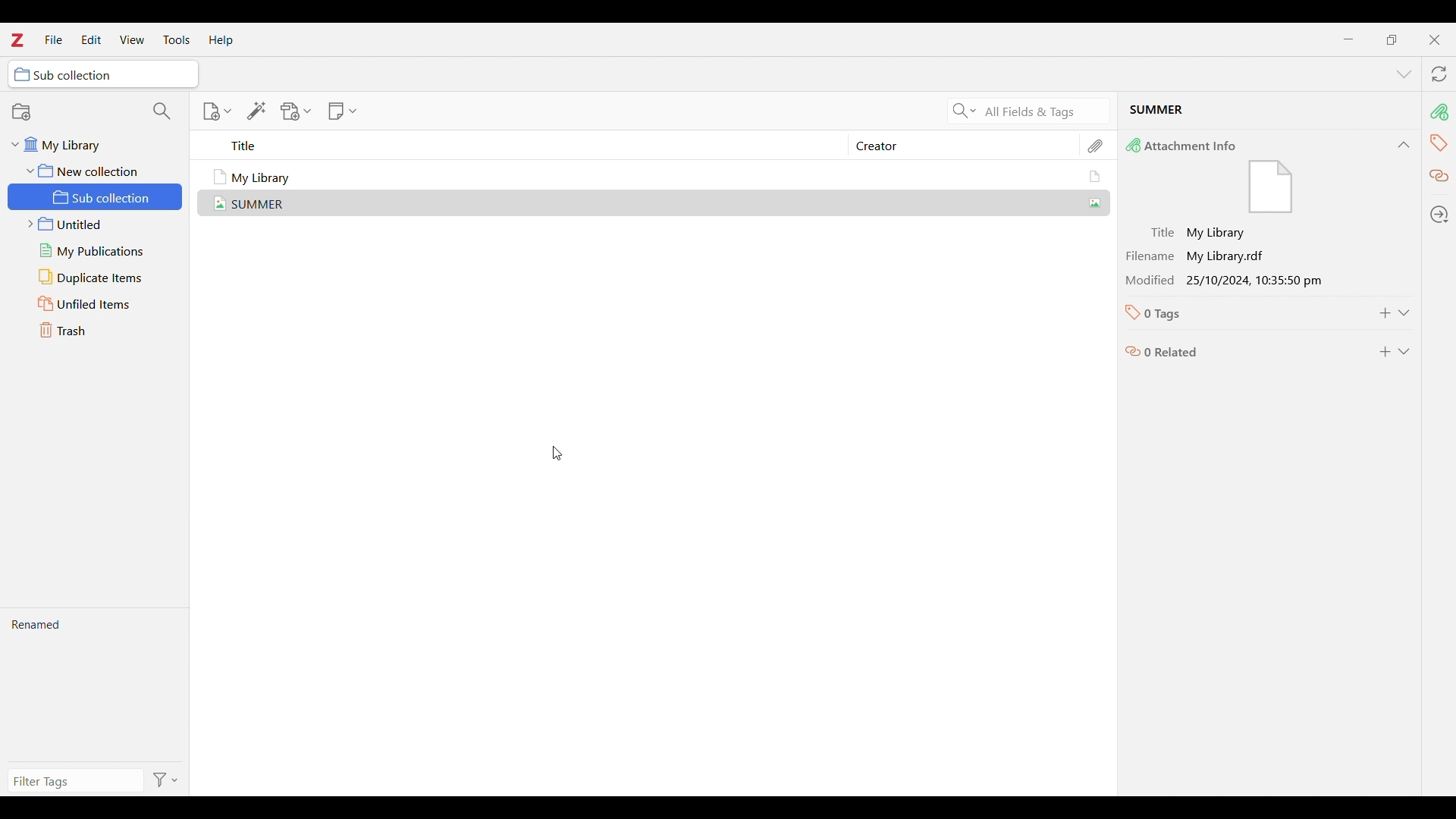 The height and width of the screenshot is (819, 1456). I want to click on My publications , so click(96, 251).